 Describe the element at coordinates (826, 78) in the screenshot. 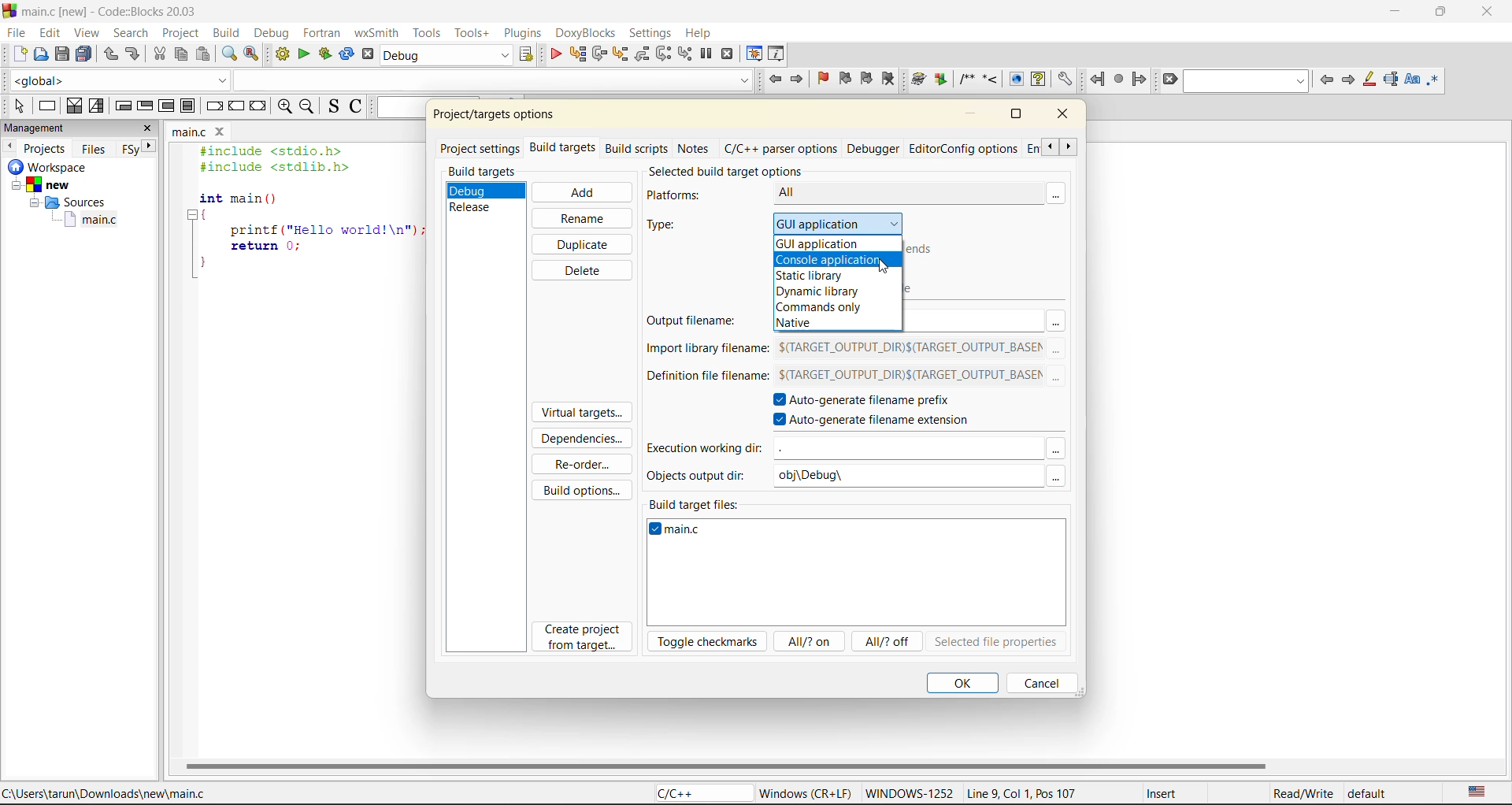

I see `toggle bookmark` at that location.